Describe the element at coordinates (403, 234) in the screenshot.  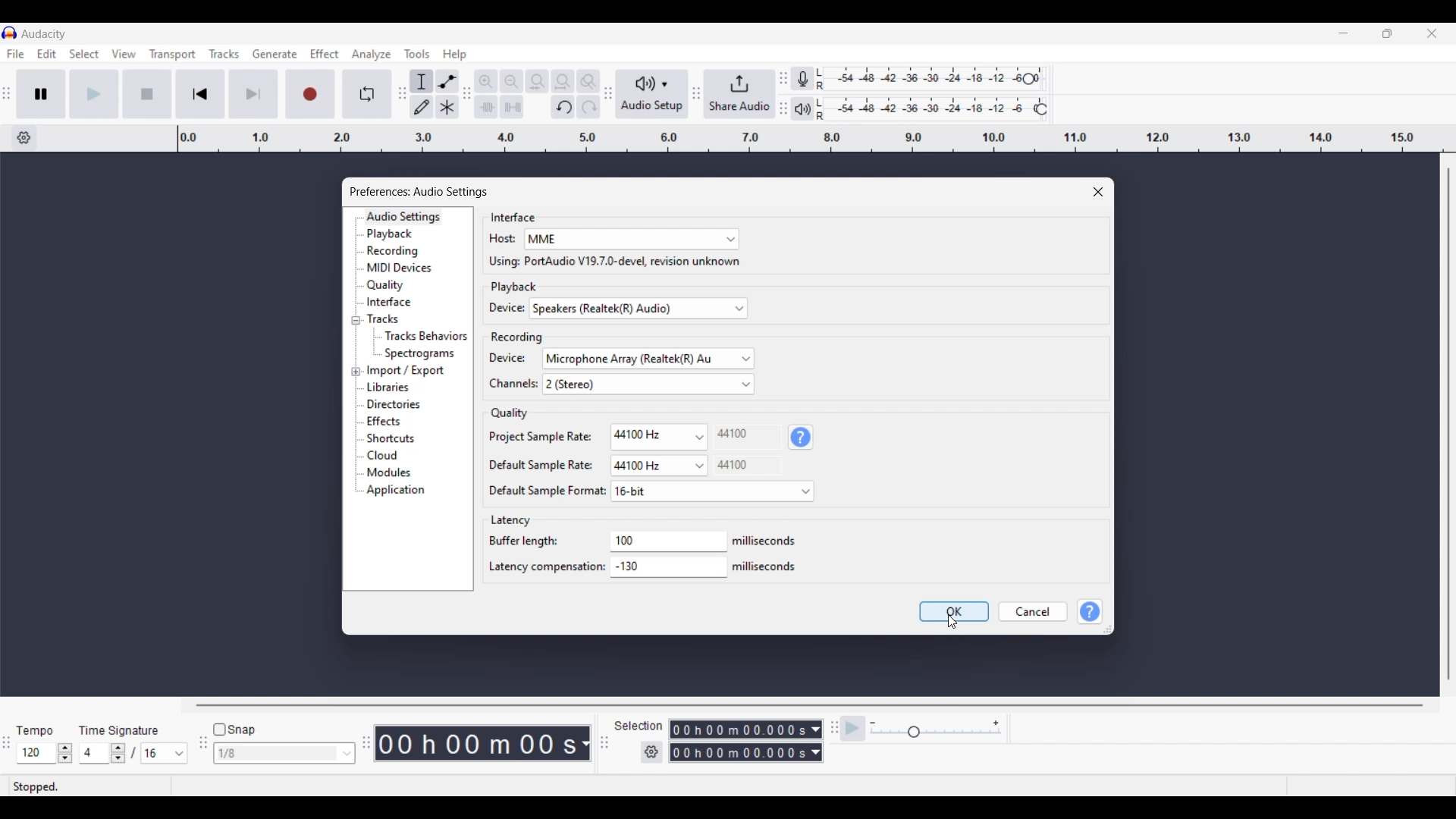
I see `Playback` at that location.